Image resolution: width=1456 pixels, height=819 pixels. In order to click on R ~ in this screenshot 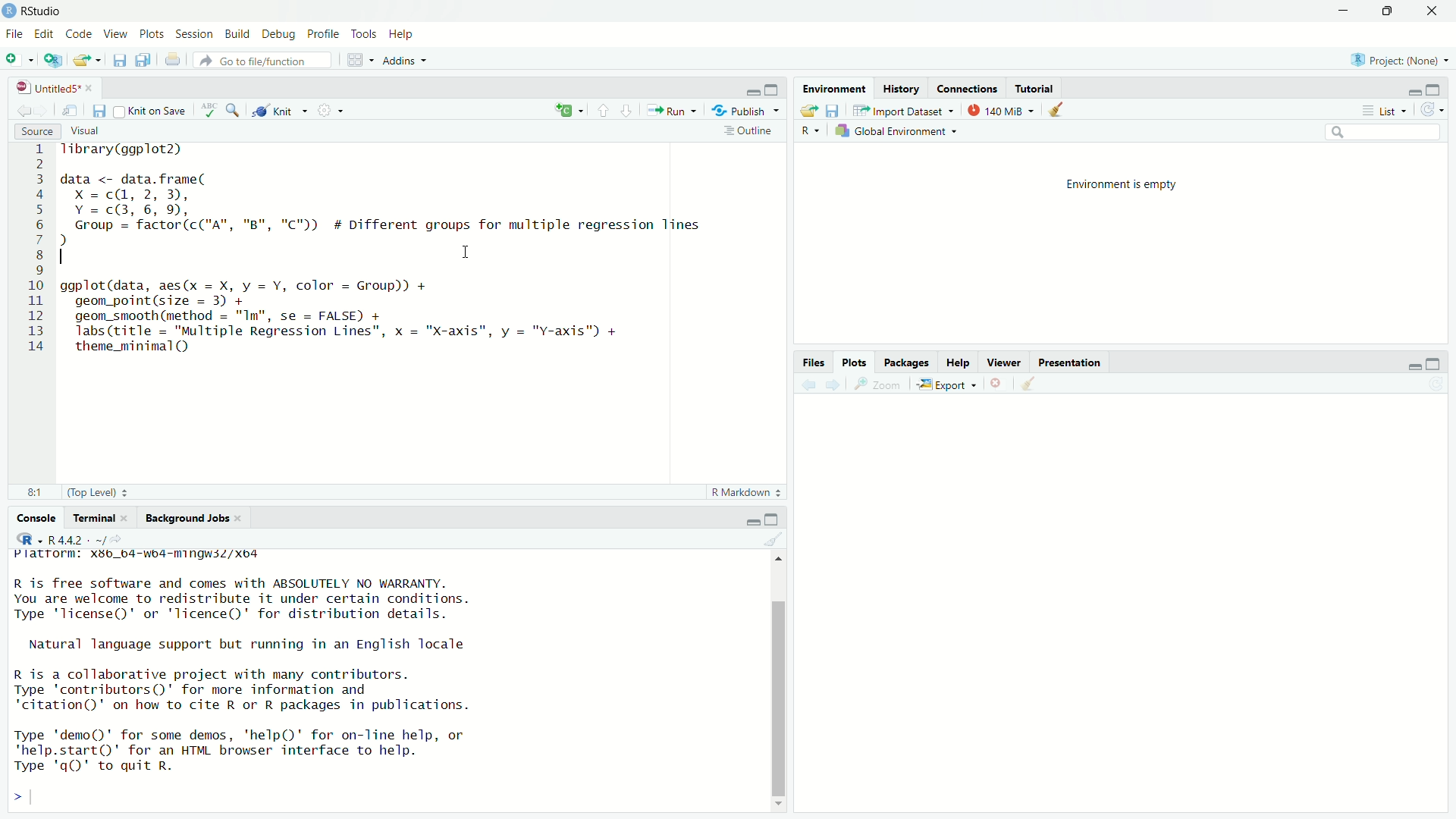, I will do `click(812, 127)`.